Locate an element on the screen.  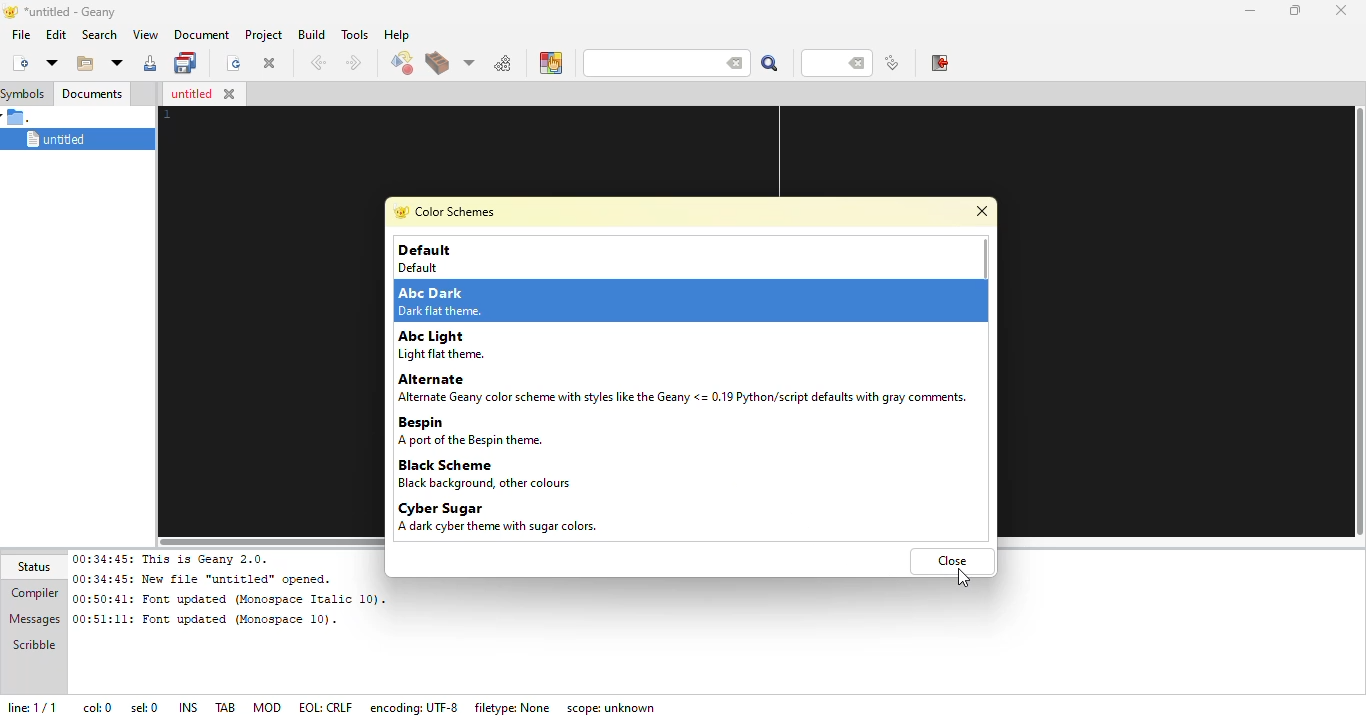
line number is located at coordinates (162, 116).